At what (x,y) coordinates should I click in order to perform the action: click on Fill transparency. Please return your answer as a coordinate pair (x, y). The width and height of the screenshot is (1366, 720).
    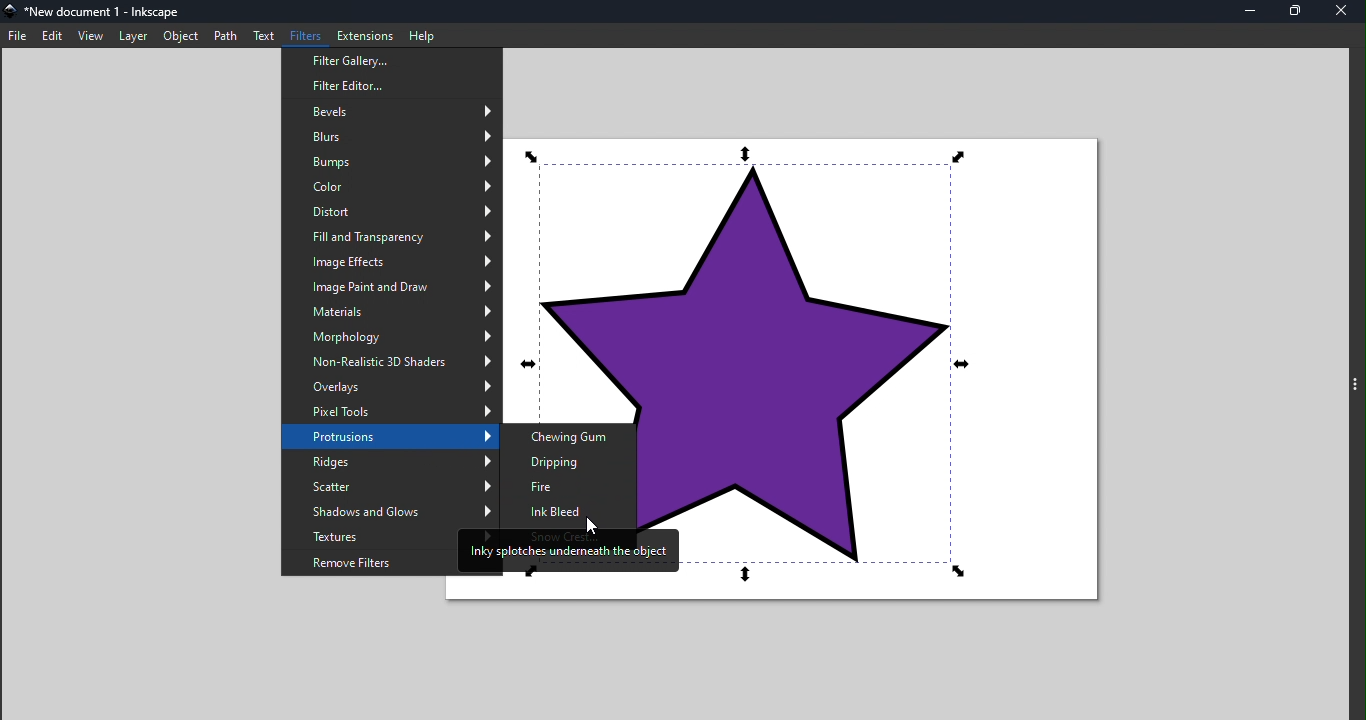
    Looking at the image, I should click on (393, 238).